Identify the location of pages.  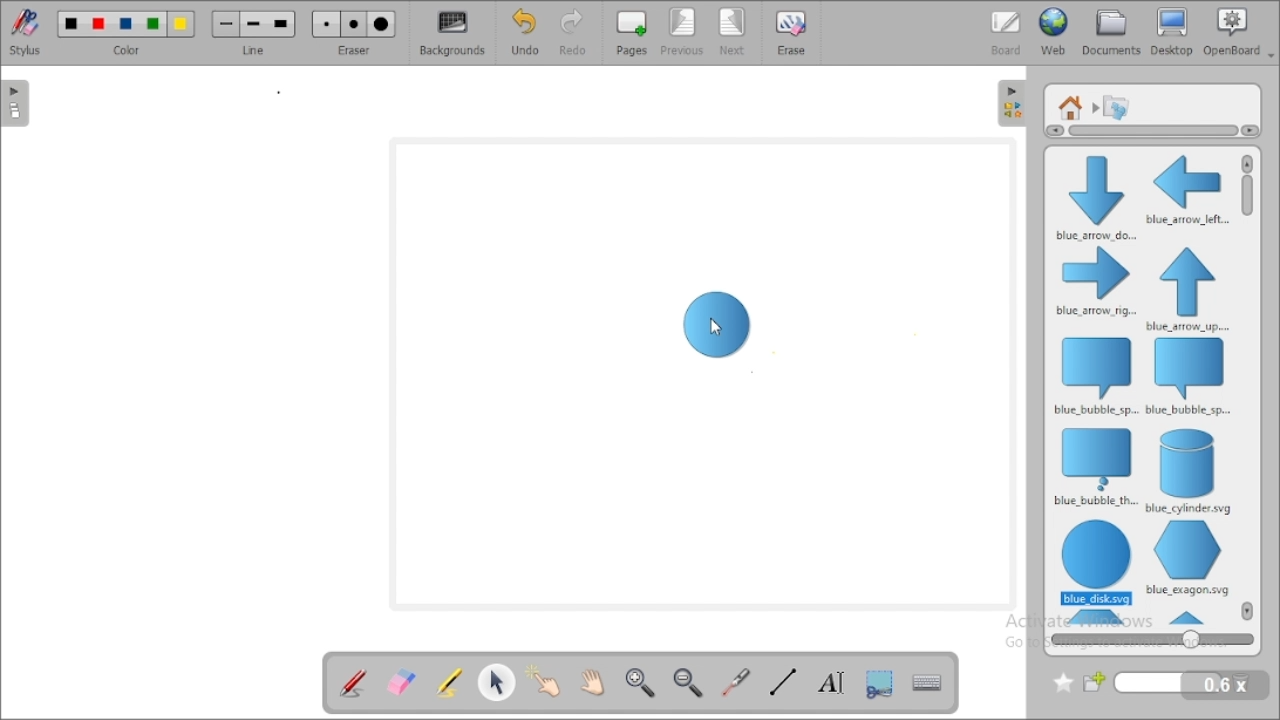
(631, 33).